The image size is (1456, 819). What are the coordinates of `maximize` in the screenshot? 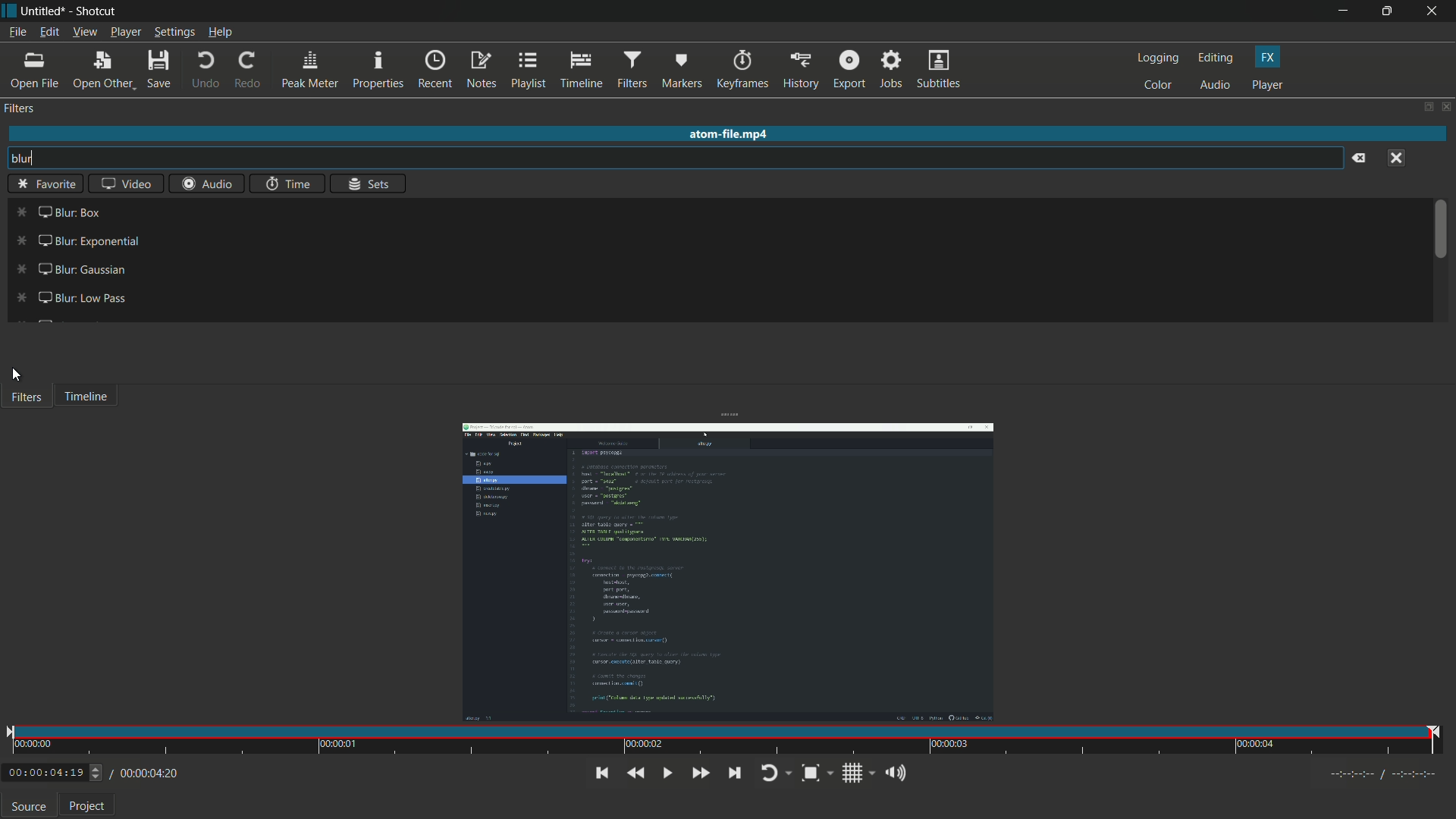 It's located at (1390, 11).